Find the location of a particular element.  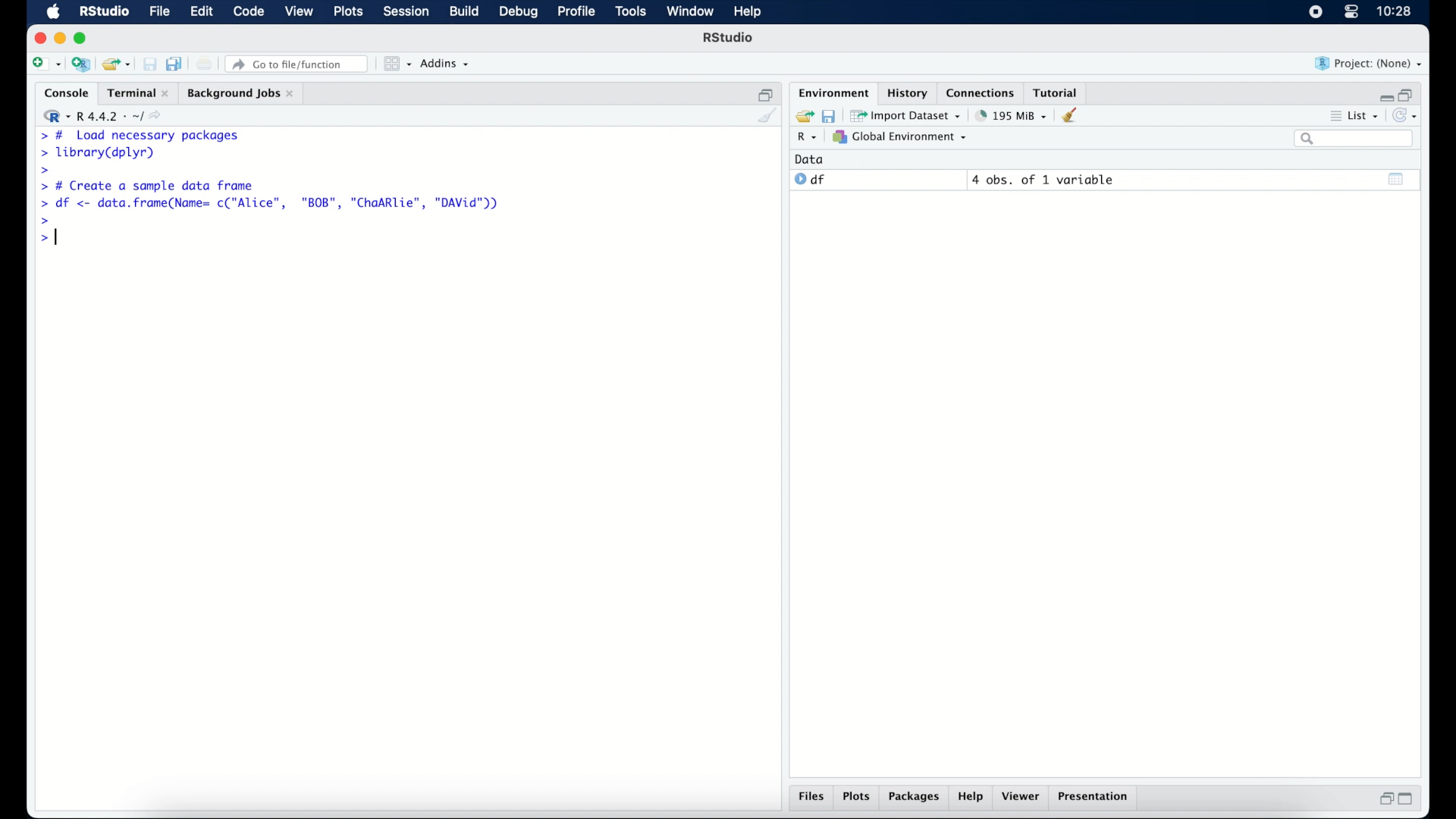

maximize is located at coordinates (1410, 799).